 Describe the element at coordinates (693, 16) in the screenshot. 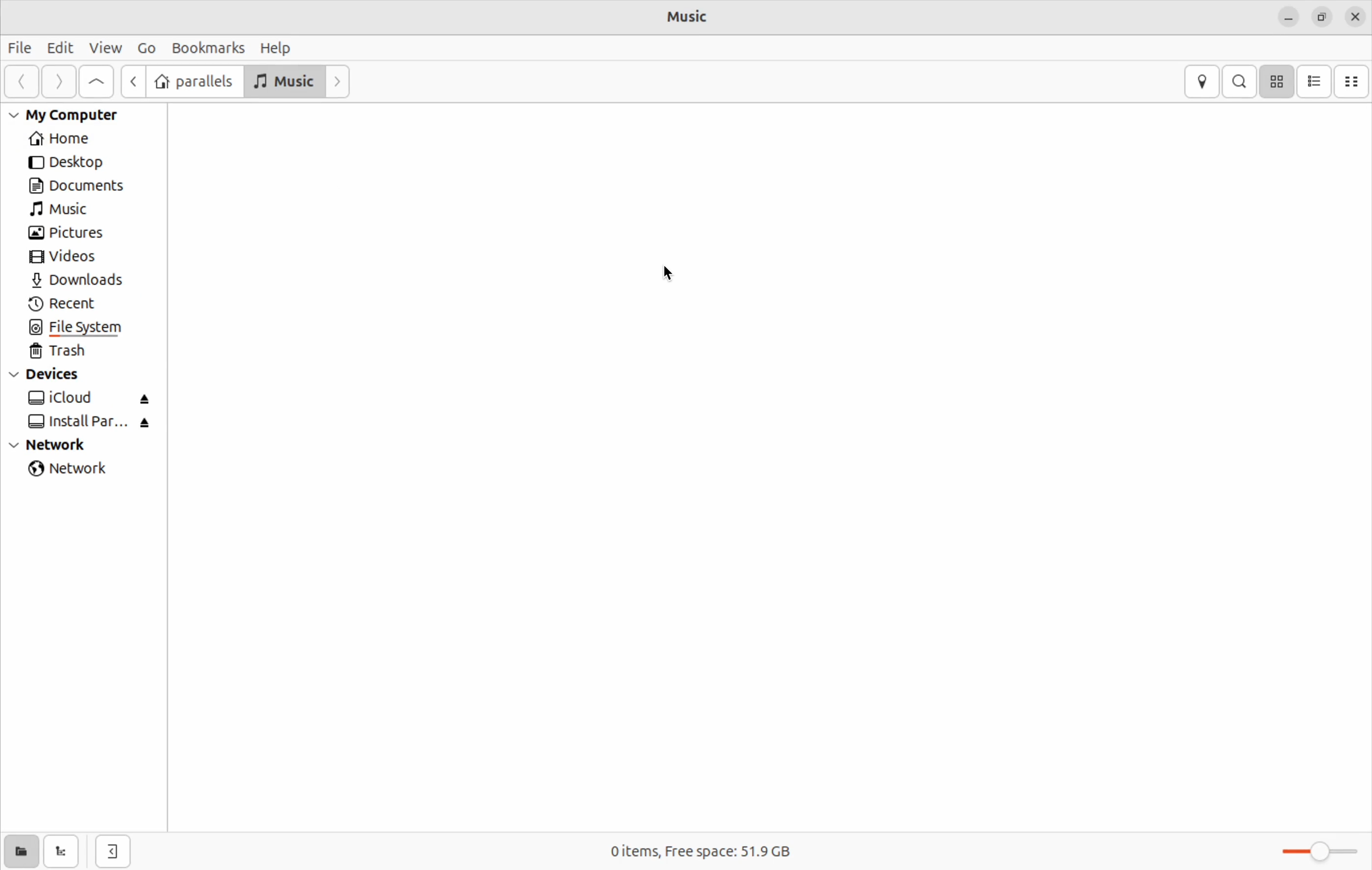

I see `music` at that location.